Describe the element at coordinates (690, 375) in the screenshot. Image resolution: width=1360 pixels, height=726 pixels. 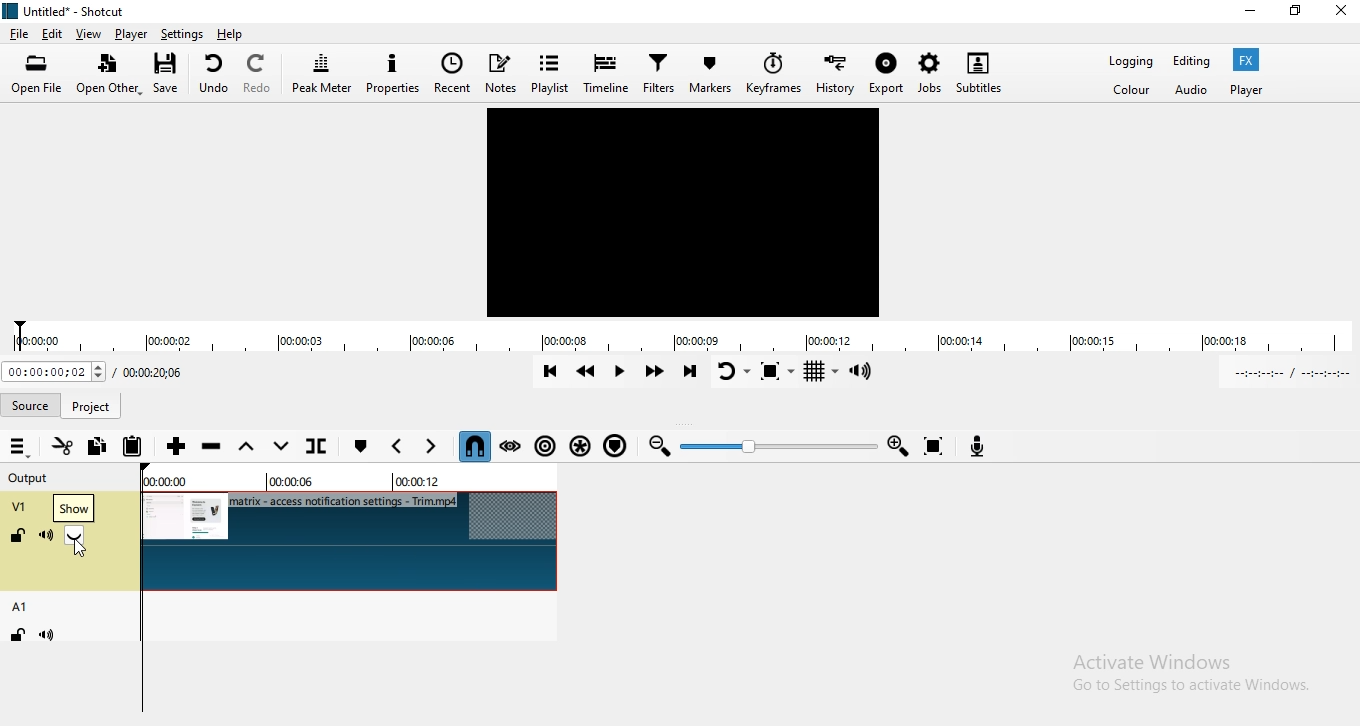
I see `Skip to the next point ` at that location.